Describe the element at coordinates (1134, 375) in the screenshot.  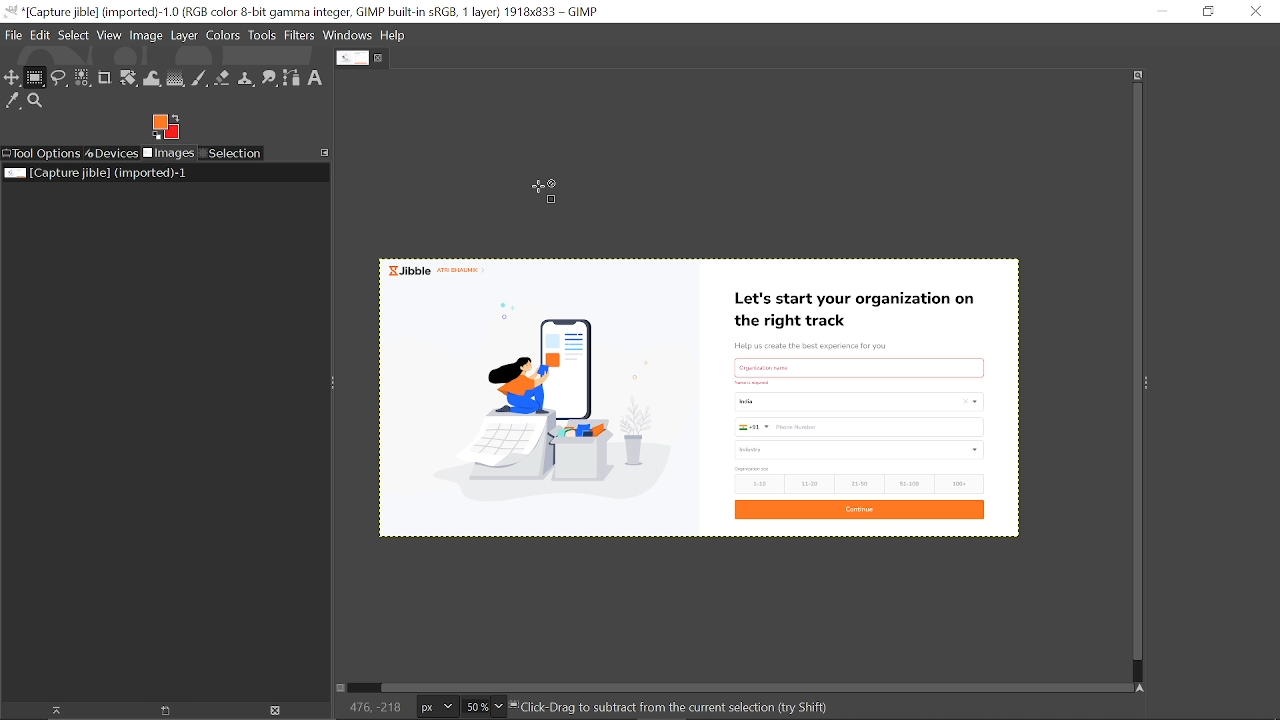
I see `Vertical scrollbar` at that location.